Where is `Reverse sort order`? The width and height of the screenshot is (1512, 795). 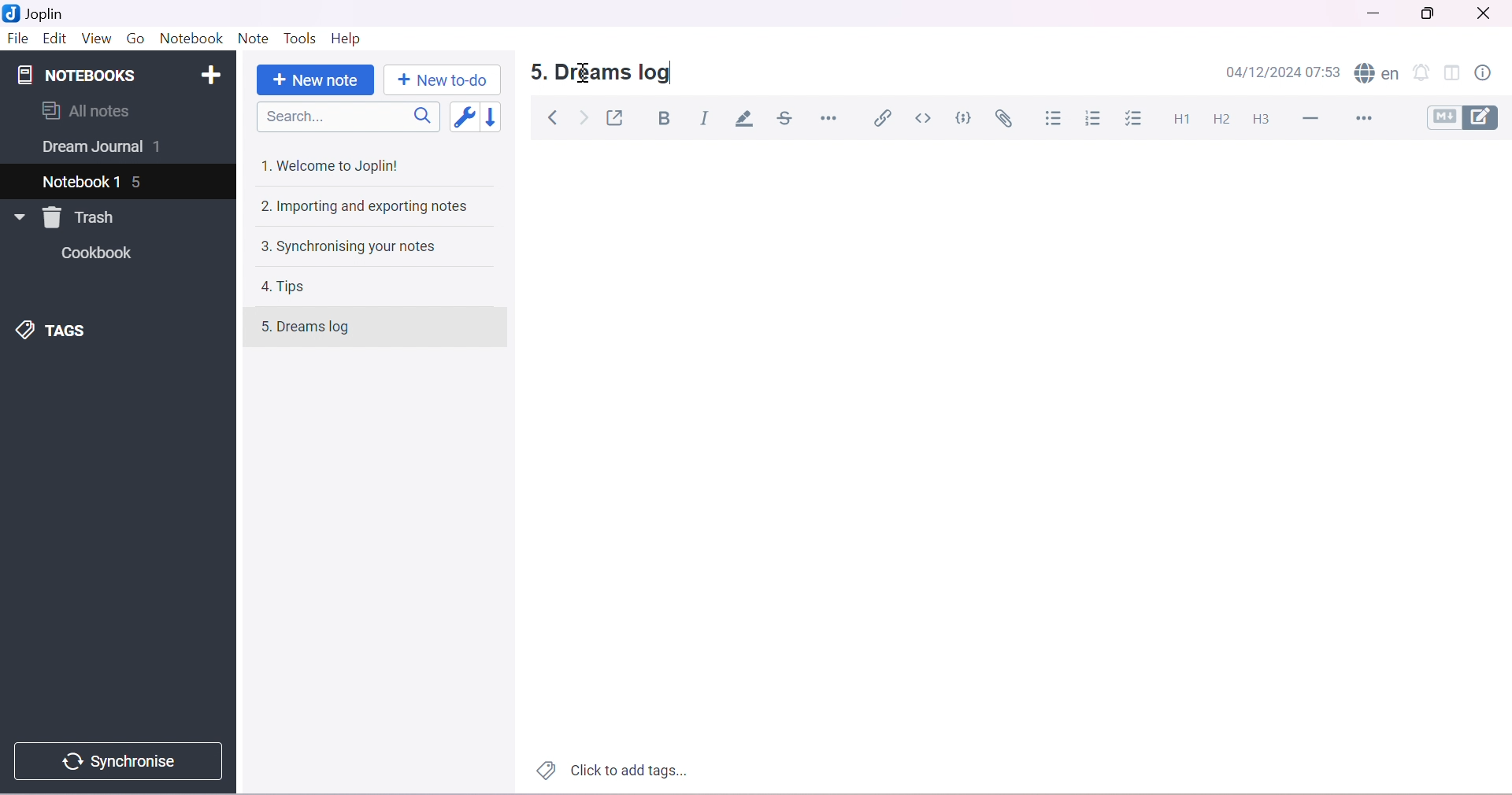 Reverse sort order is located at coordinates (499, 117).